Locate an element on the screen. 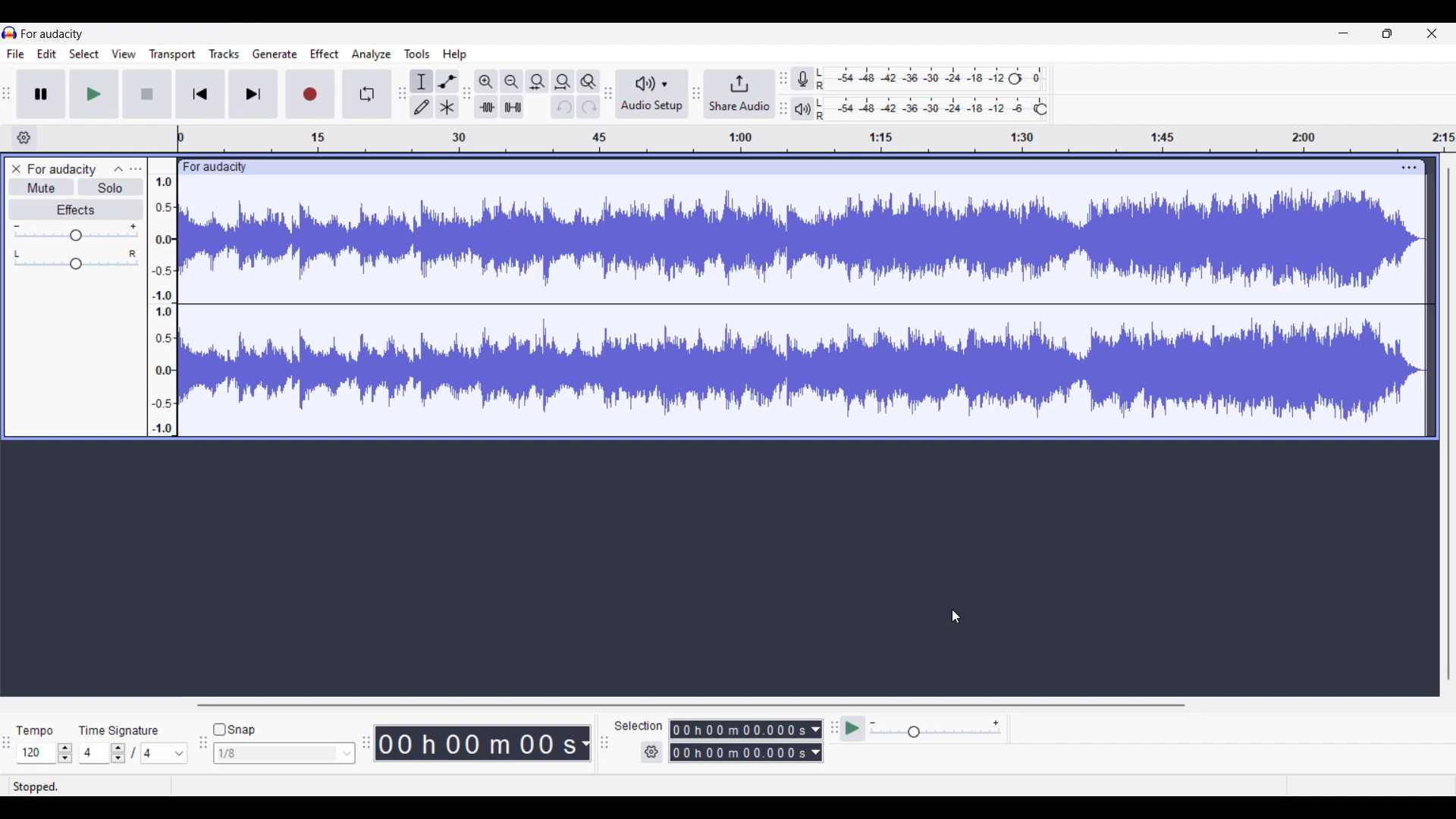 This screenshot has height=819, width=1456. Header to change volume is located at coordinates (76, 235).